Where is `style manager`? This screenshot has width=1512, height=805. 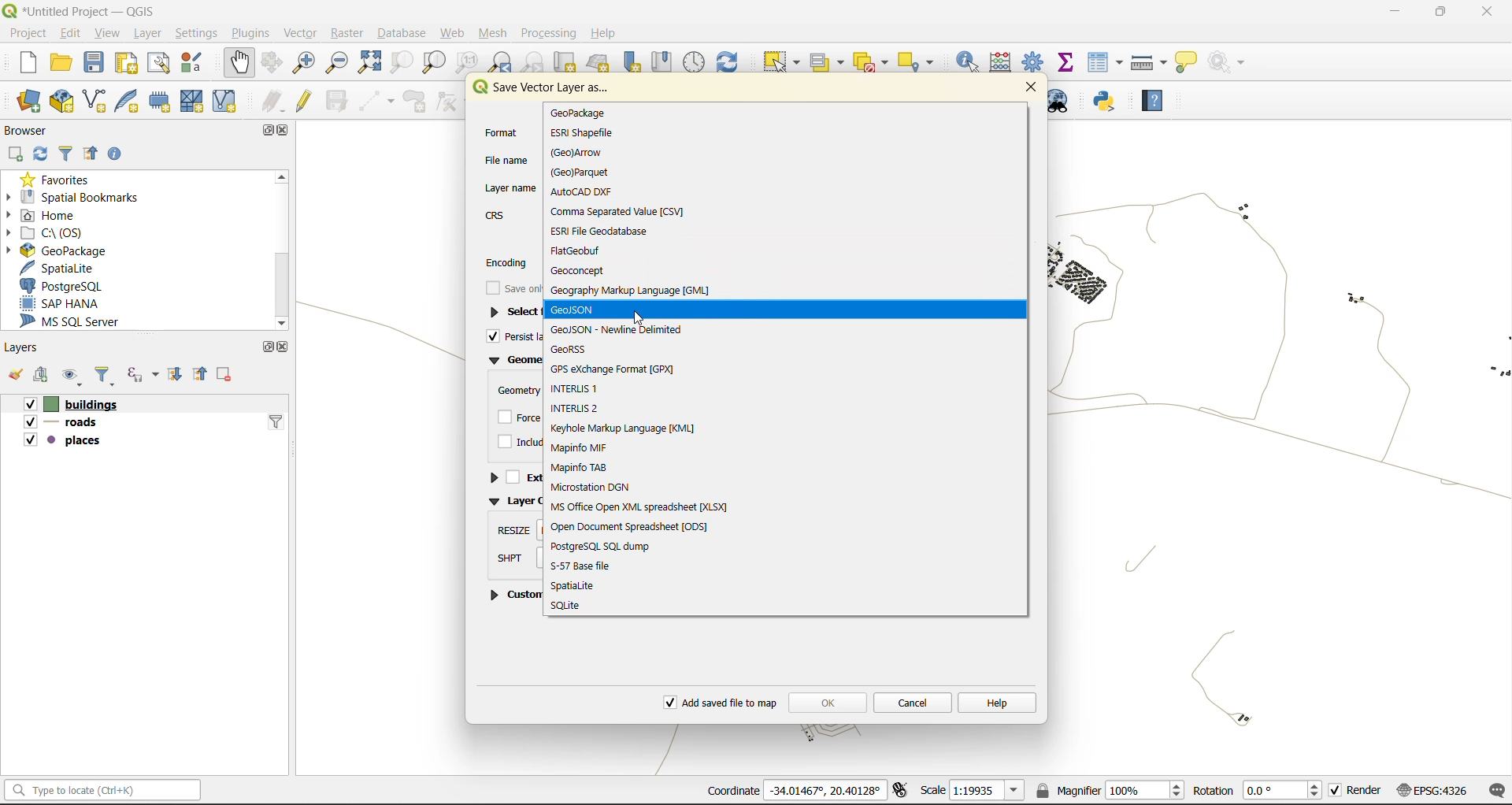 style manager is located at coordinates (192, 65).